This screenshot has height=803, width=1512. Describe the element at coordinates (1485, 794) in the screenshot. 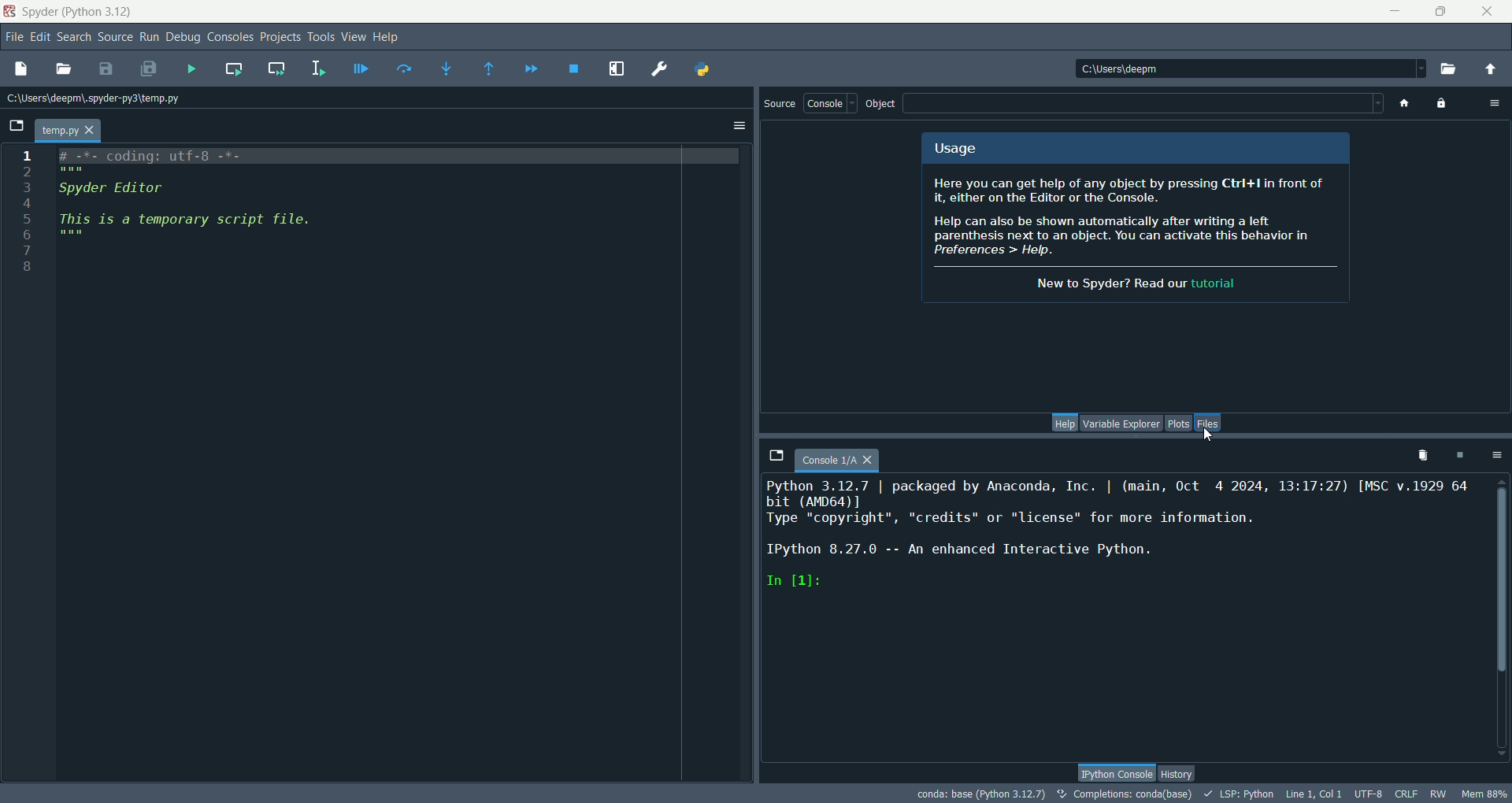

I see `MEM` at that location.